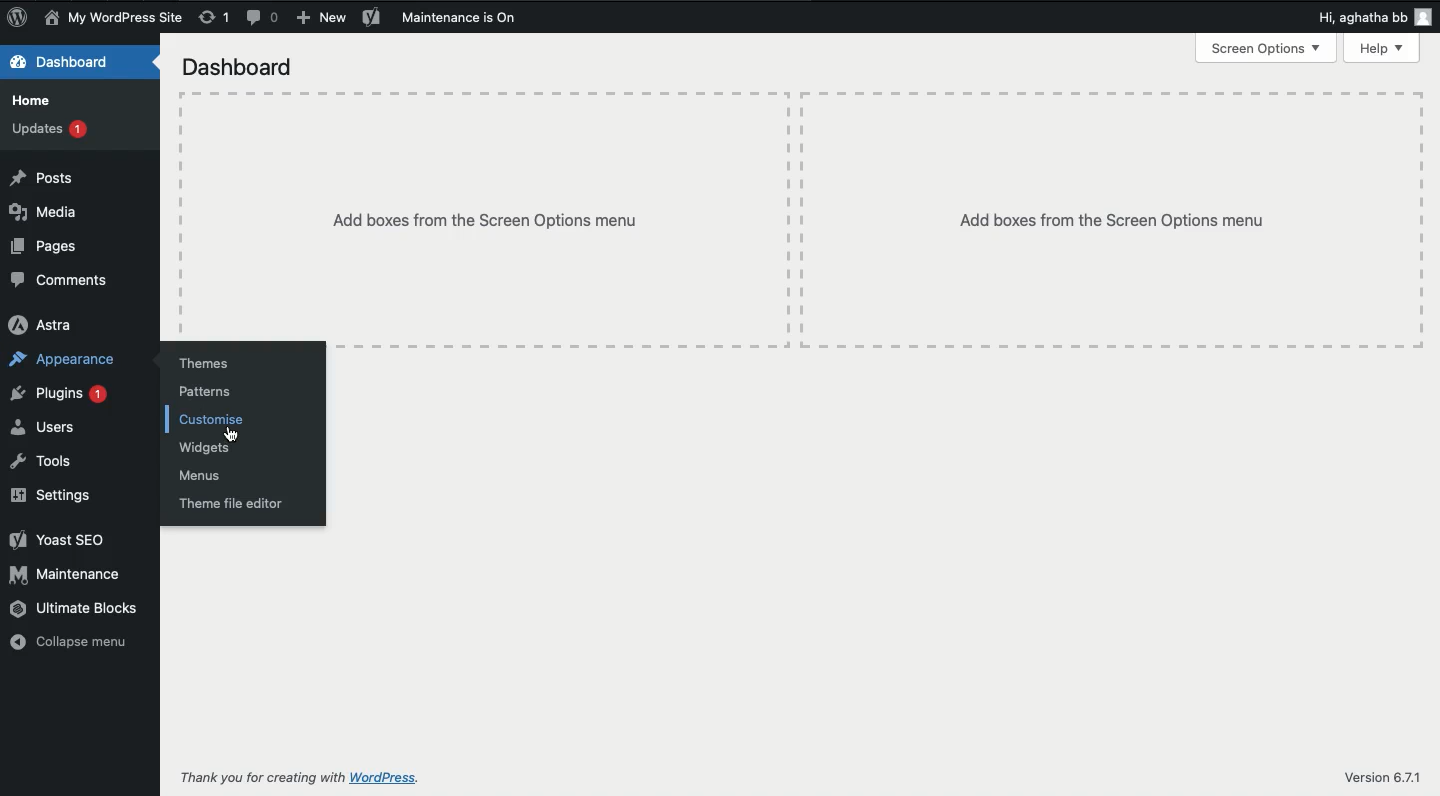  What do you see at coordinates (321, 18) in the screenshot?
I see `New` at bounding box center [321, 18].